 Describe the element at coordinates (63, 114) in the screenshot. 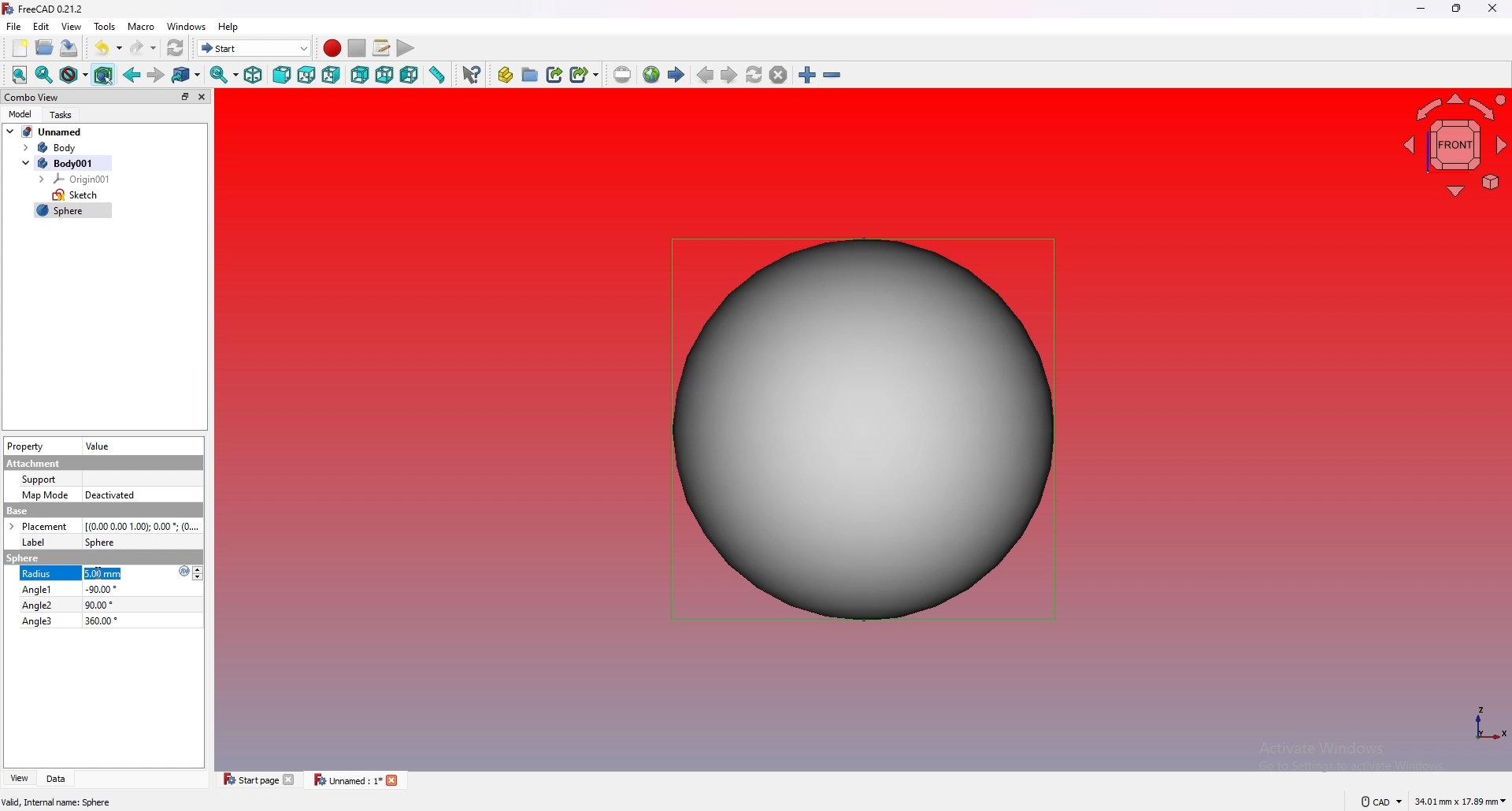

I see `tasks` at that location.